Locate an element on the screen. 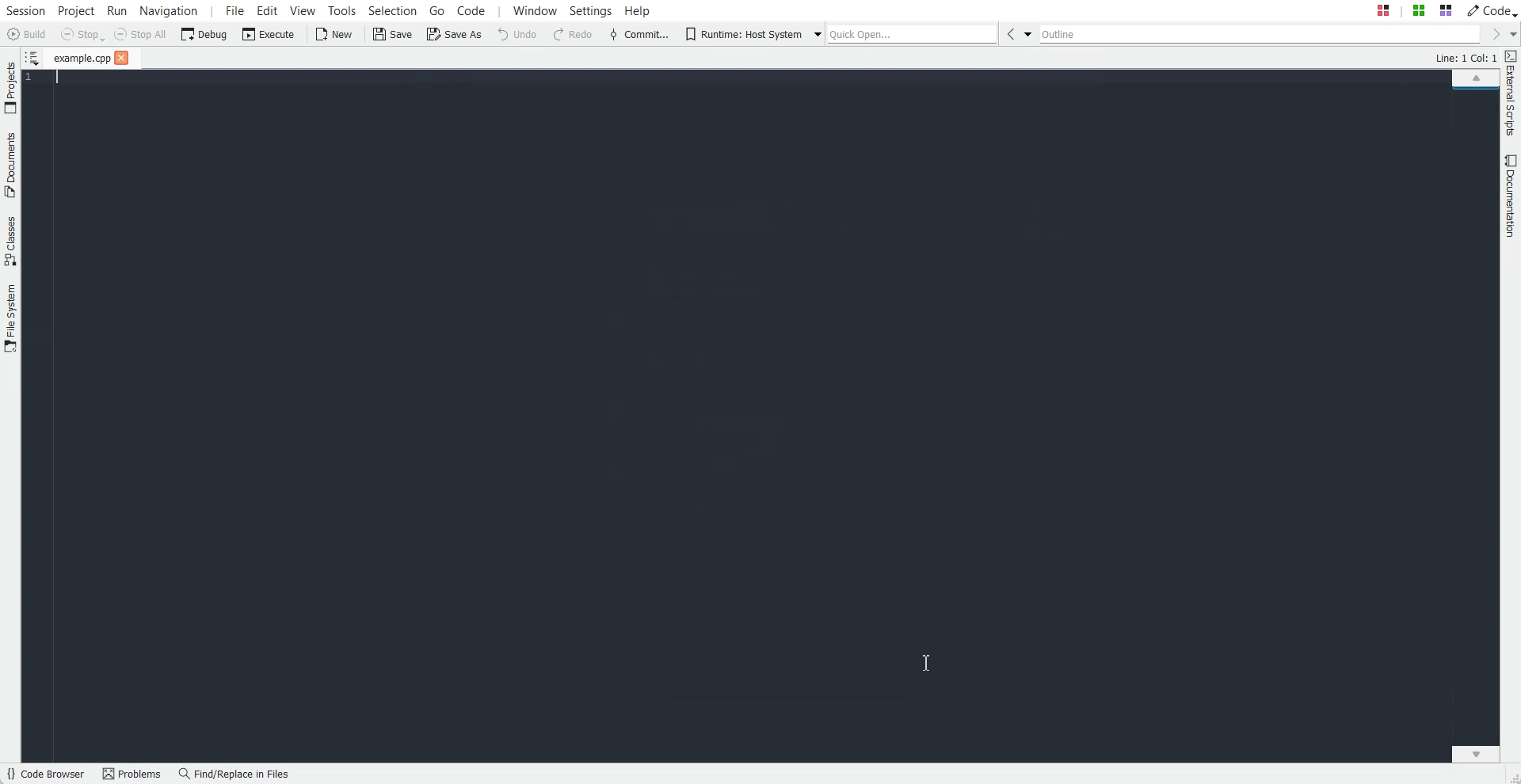 This screenshot has height=784, width=1521. Save As is located at coordinates (454, 35).